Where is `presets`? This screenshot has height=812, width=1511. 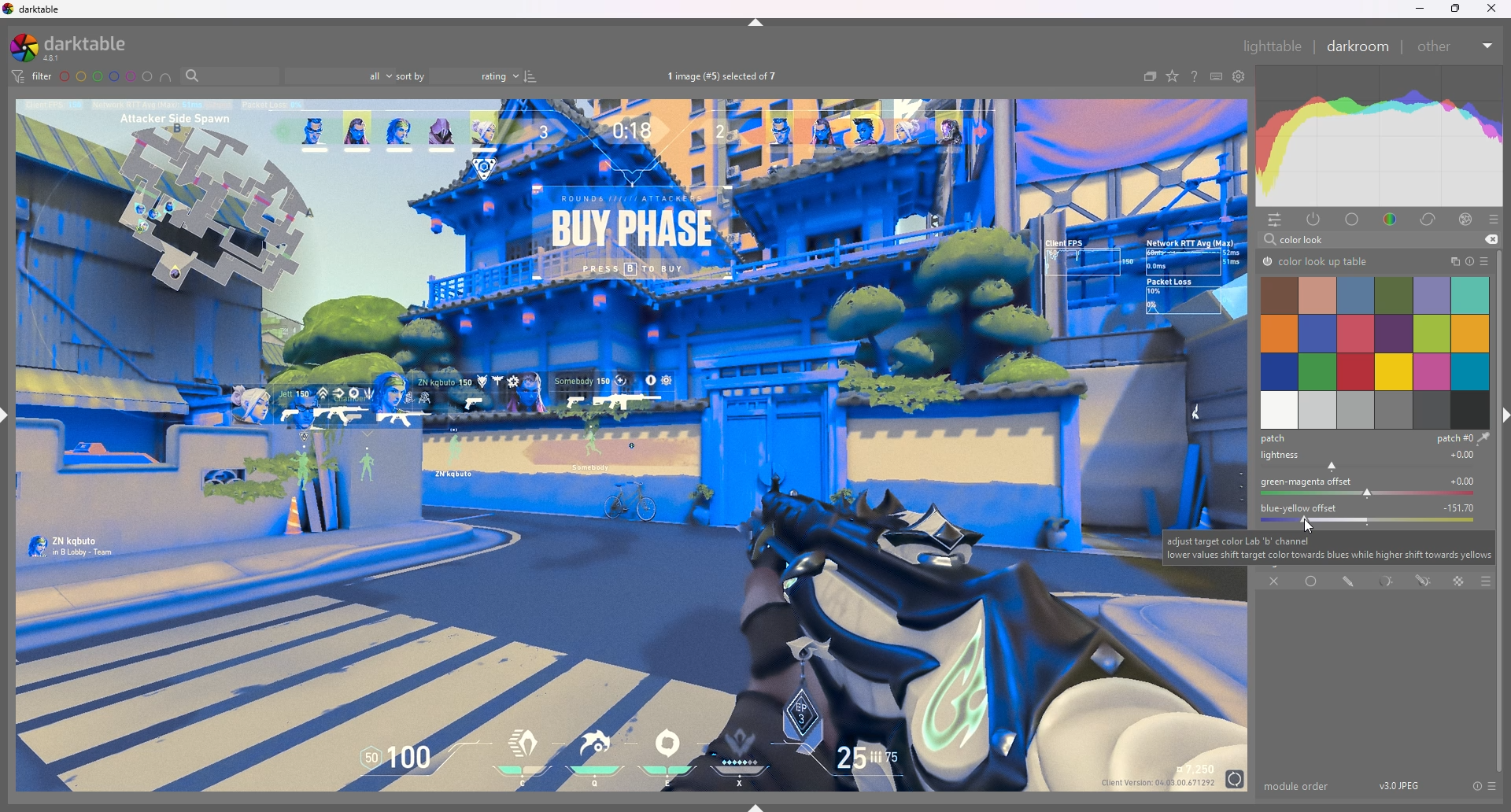 presets is located at coordinates (1487, 260).